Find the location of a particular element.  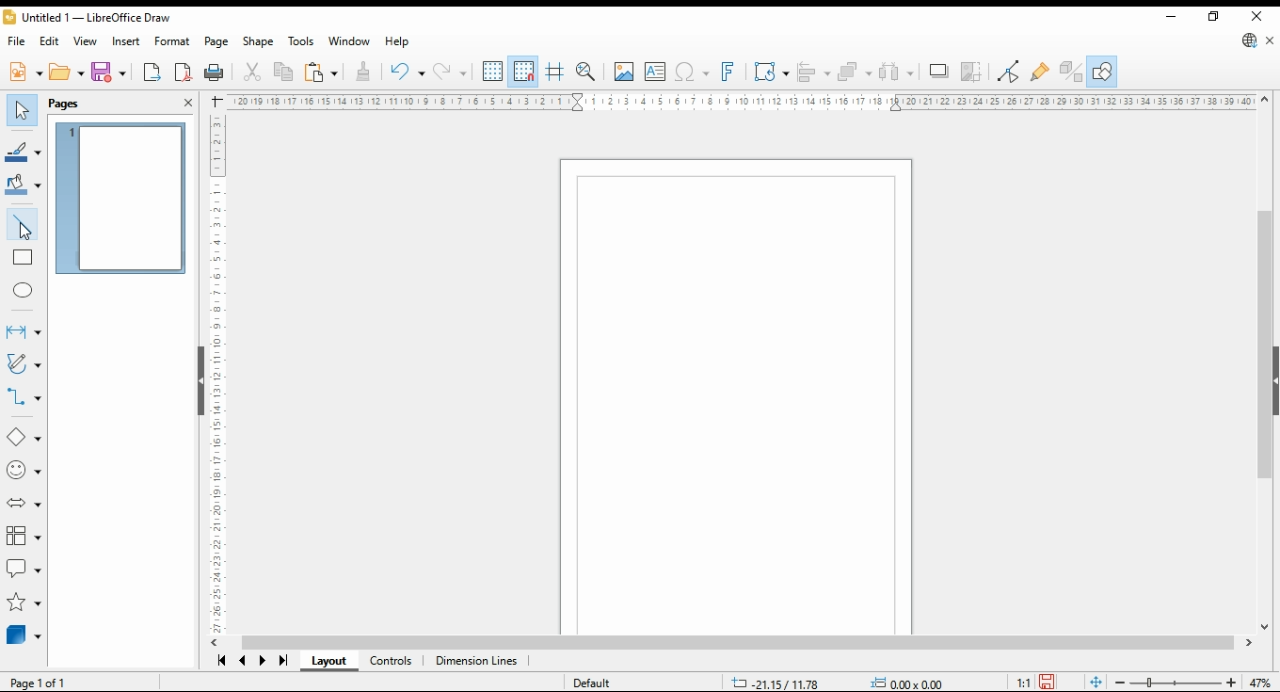

collapse is located at coordinates (199, 379).